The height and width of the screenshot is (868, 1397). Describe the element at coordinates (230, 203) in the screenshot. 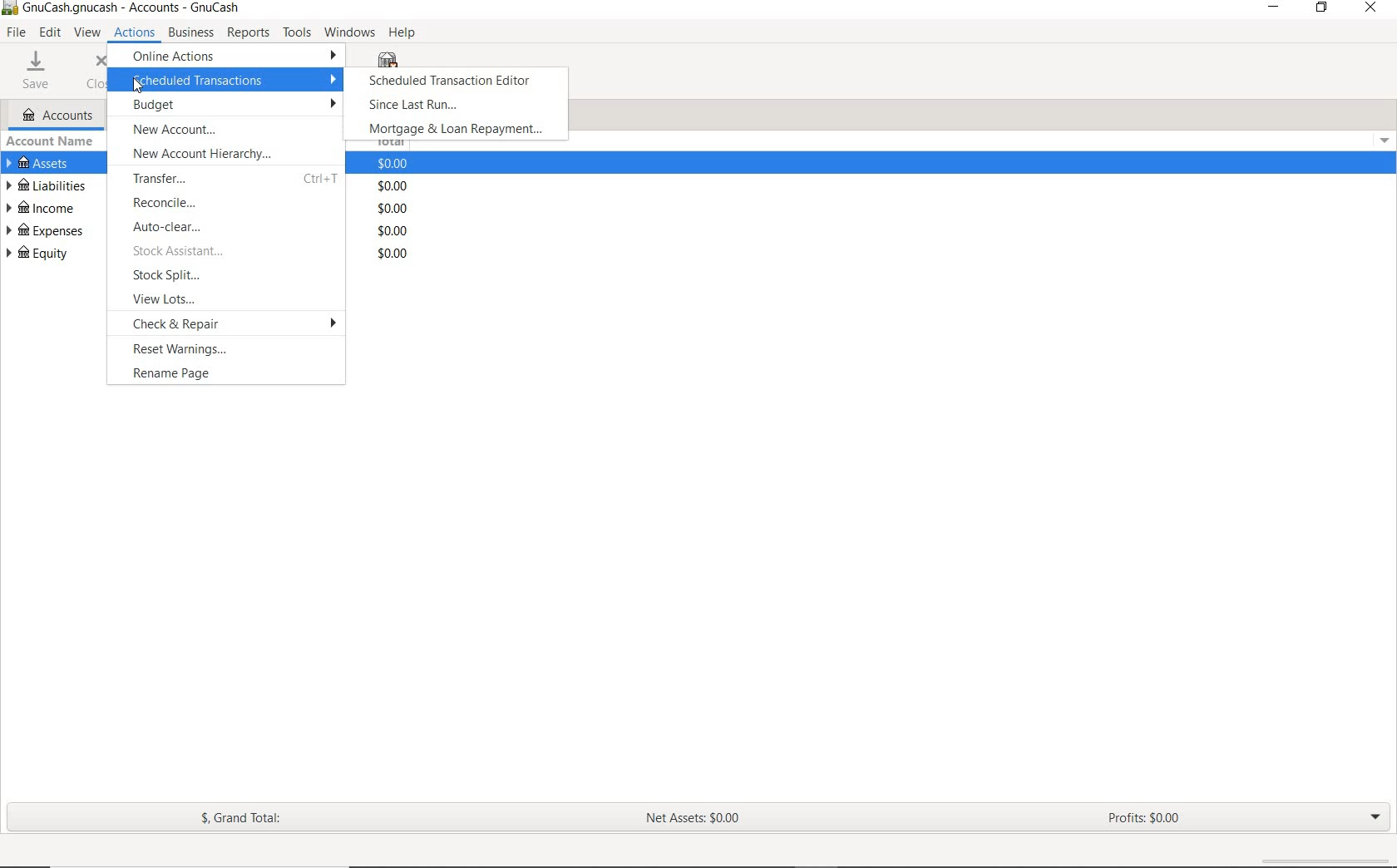

I see `RECONCILE` at that location.